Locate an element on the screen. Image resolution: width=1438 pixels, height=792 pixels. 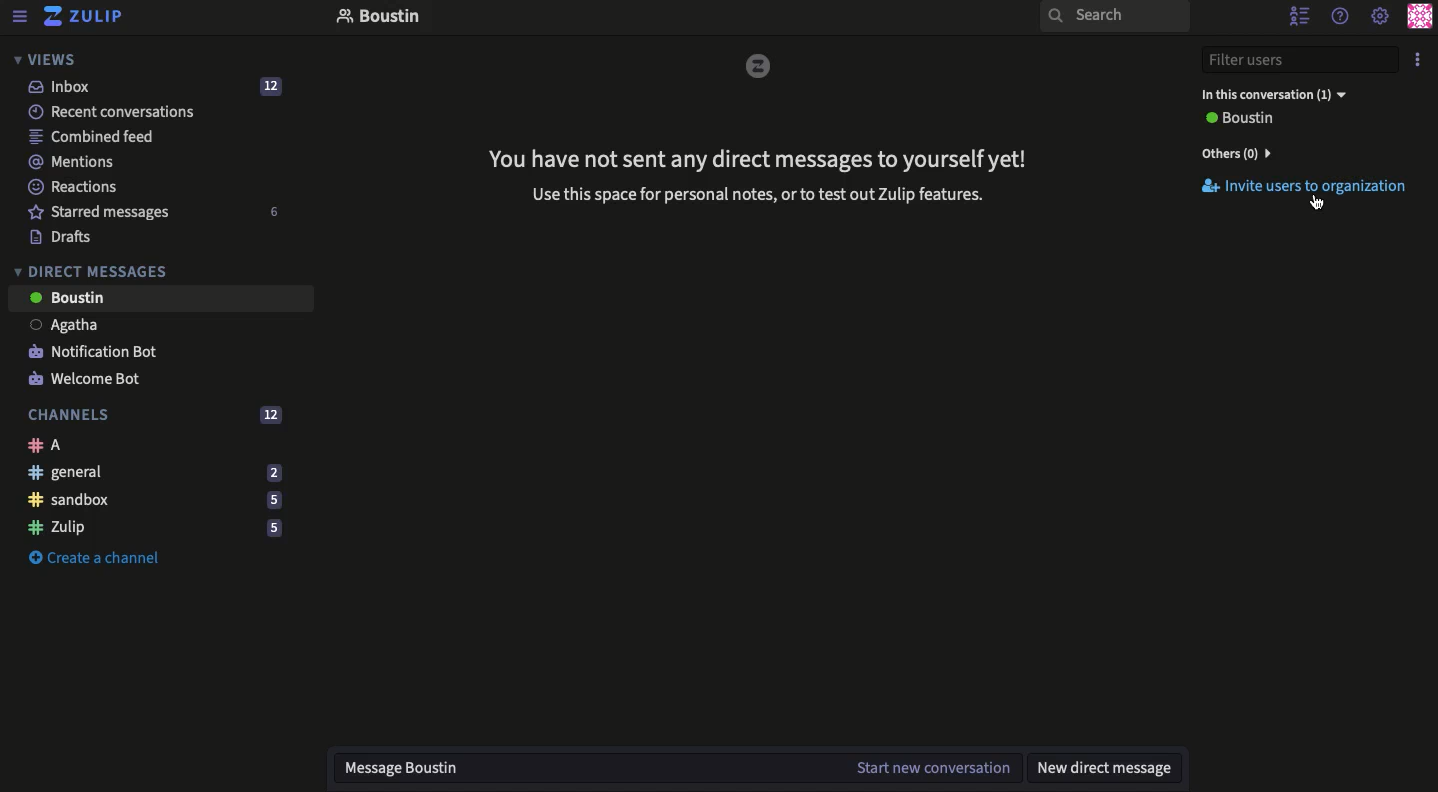
Combined feed is located at coordinates (80, 136).